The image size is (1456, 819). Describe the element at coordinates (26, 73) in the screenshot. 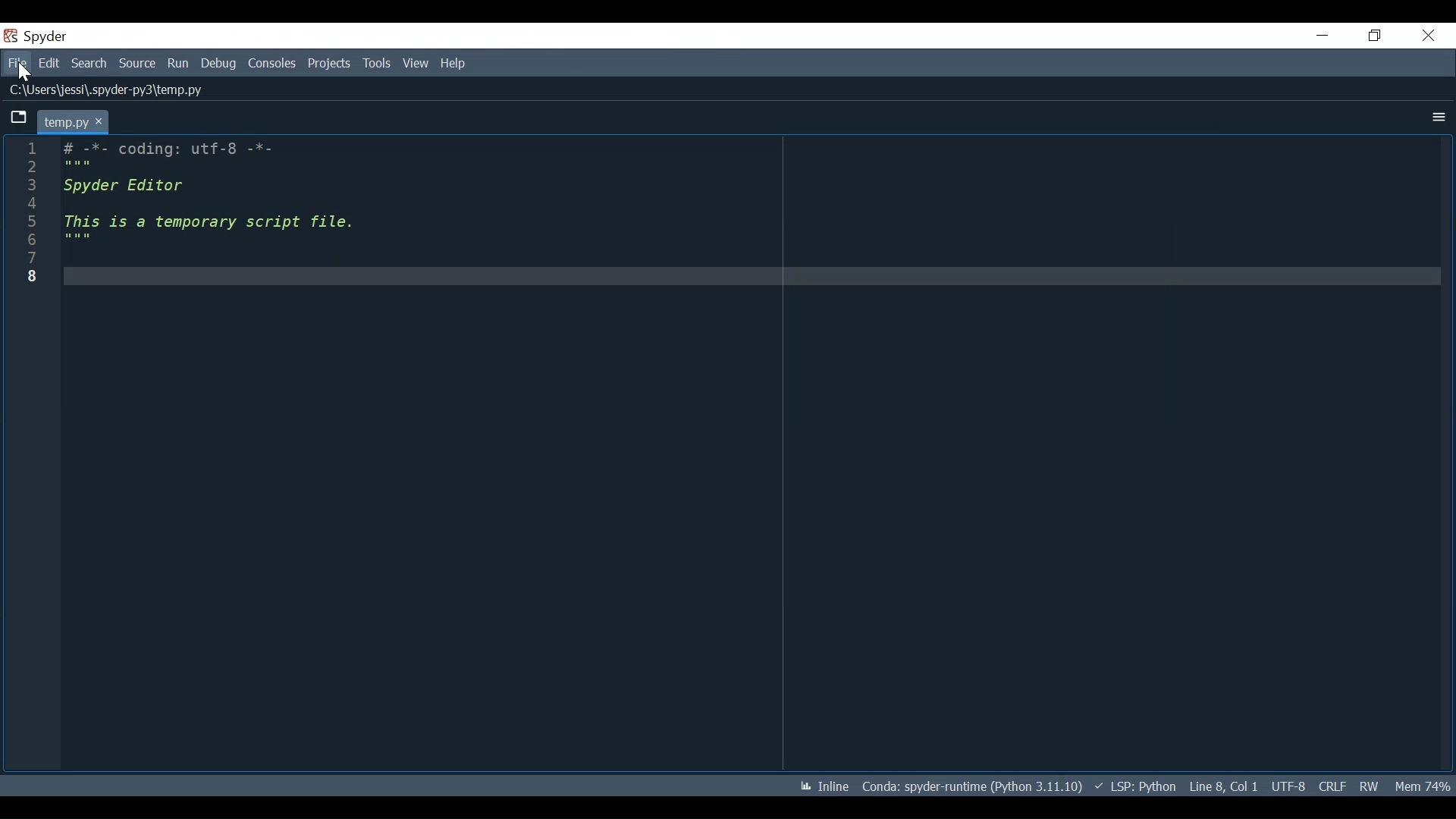

I see `Cursor` at that location.